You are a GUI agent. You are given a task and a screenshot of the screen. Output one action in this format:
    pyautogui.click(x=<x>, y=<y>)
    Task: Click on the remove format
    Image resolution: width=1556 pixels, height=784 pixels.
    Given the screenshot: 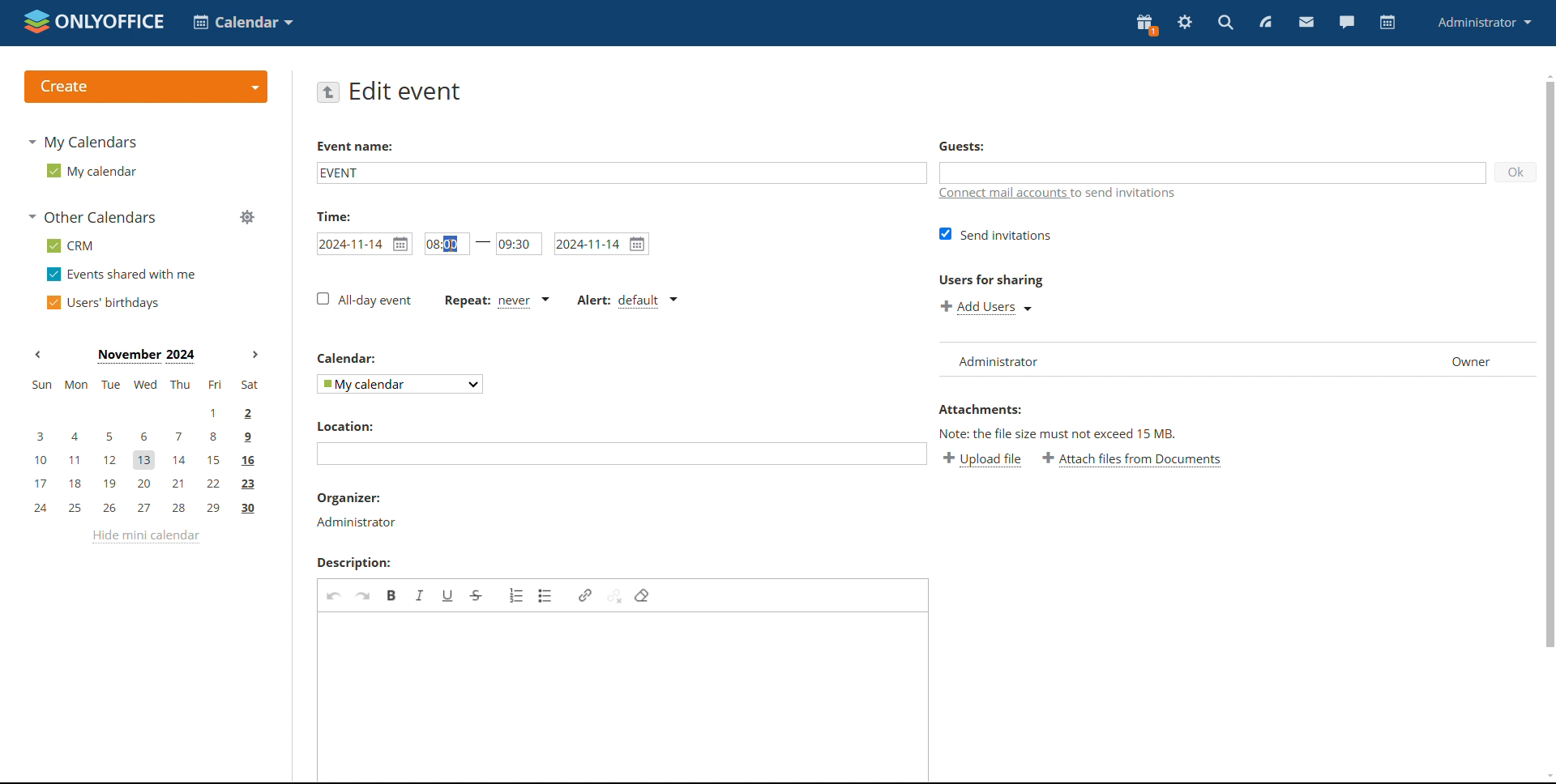 What is the action you would take?
    pyautogui.click(x=643, y=594)
    